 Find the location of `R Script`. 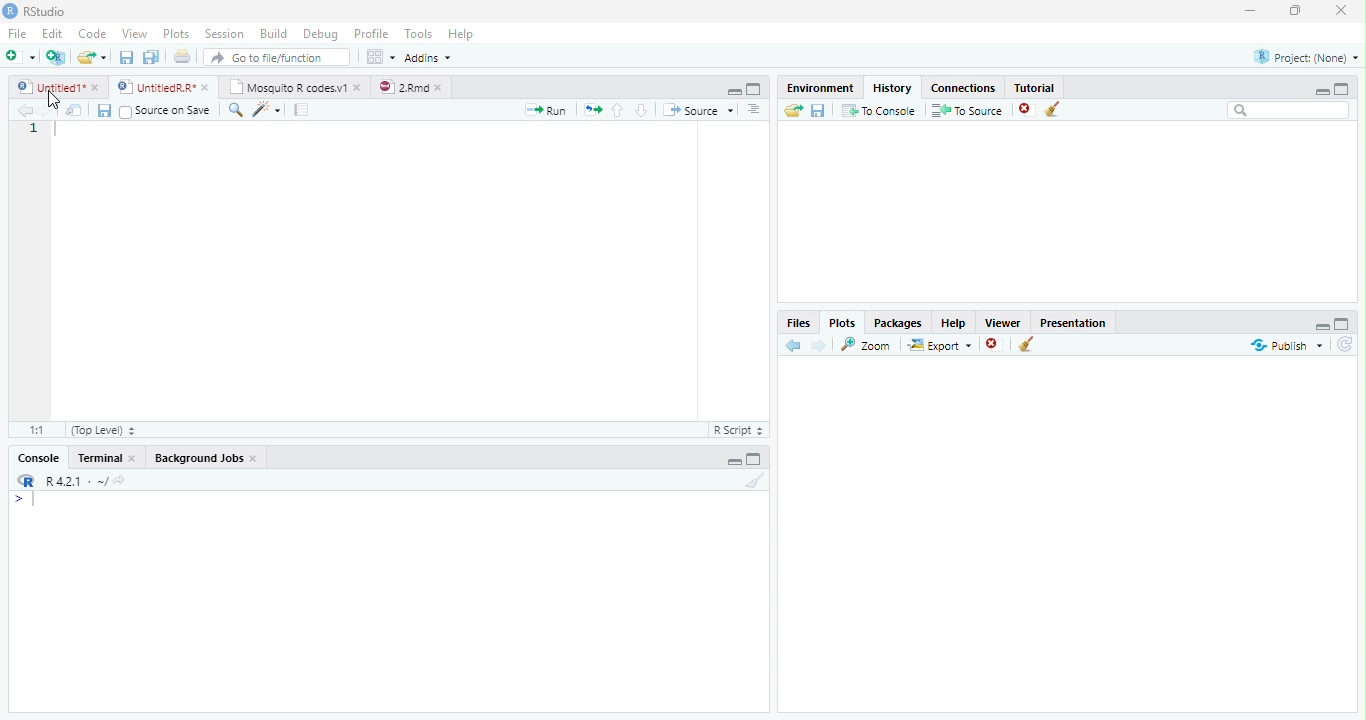

R Script is located at coordinates (739, 430).